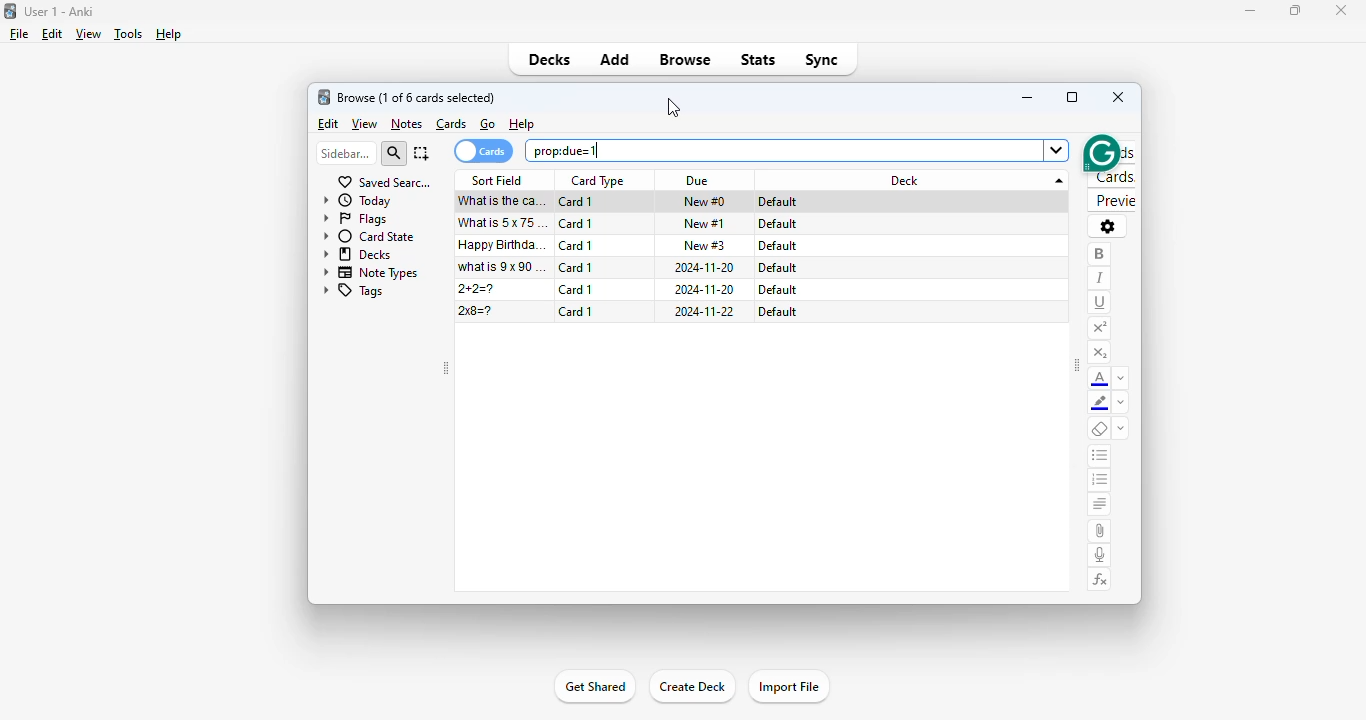 This screenshot has width=1366, height=720. Describe the element at coordinates (1100, 481) in the screenshot. I see `ordered list` at that location.